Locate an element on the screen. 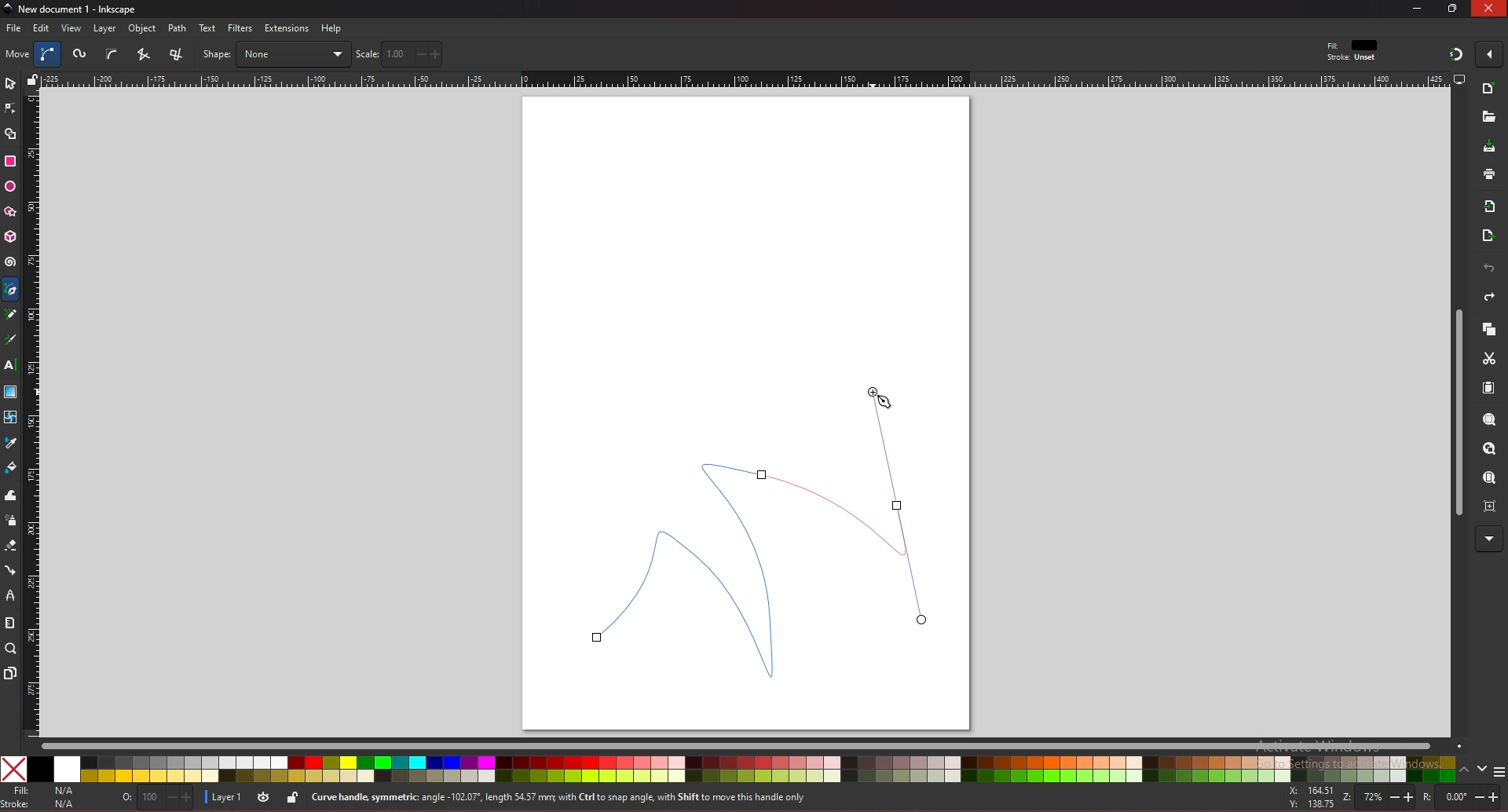  view is located at coordinates (72, 28).